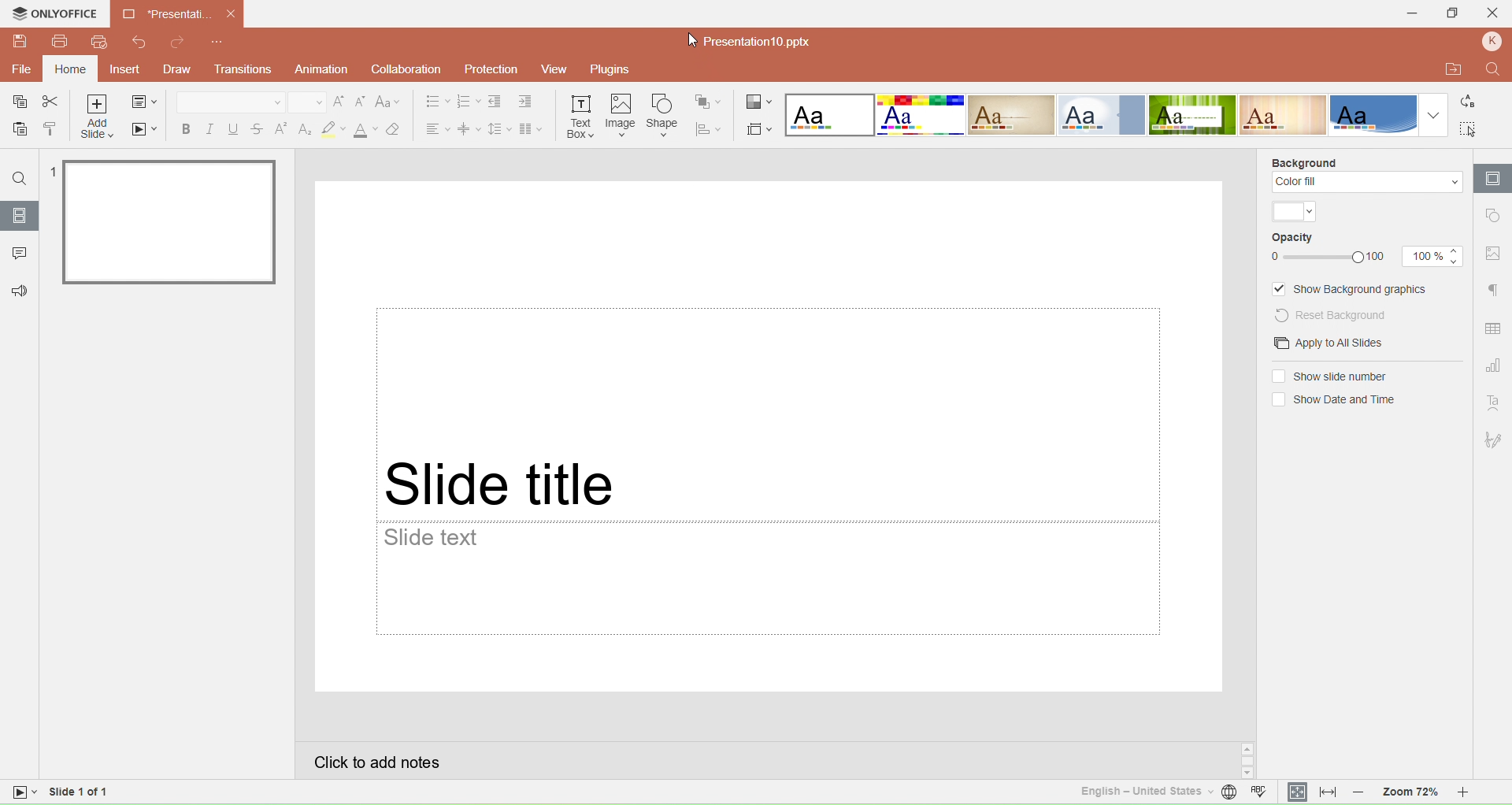  Describe the element at coordinates (304, 102) in the screenshot. I see `Font size` at that location.